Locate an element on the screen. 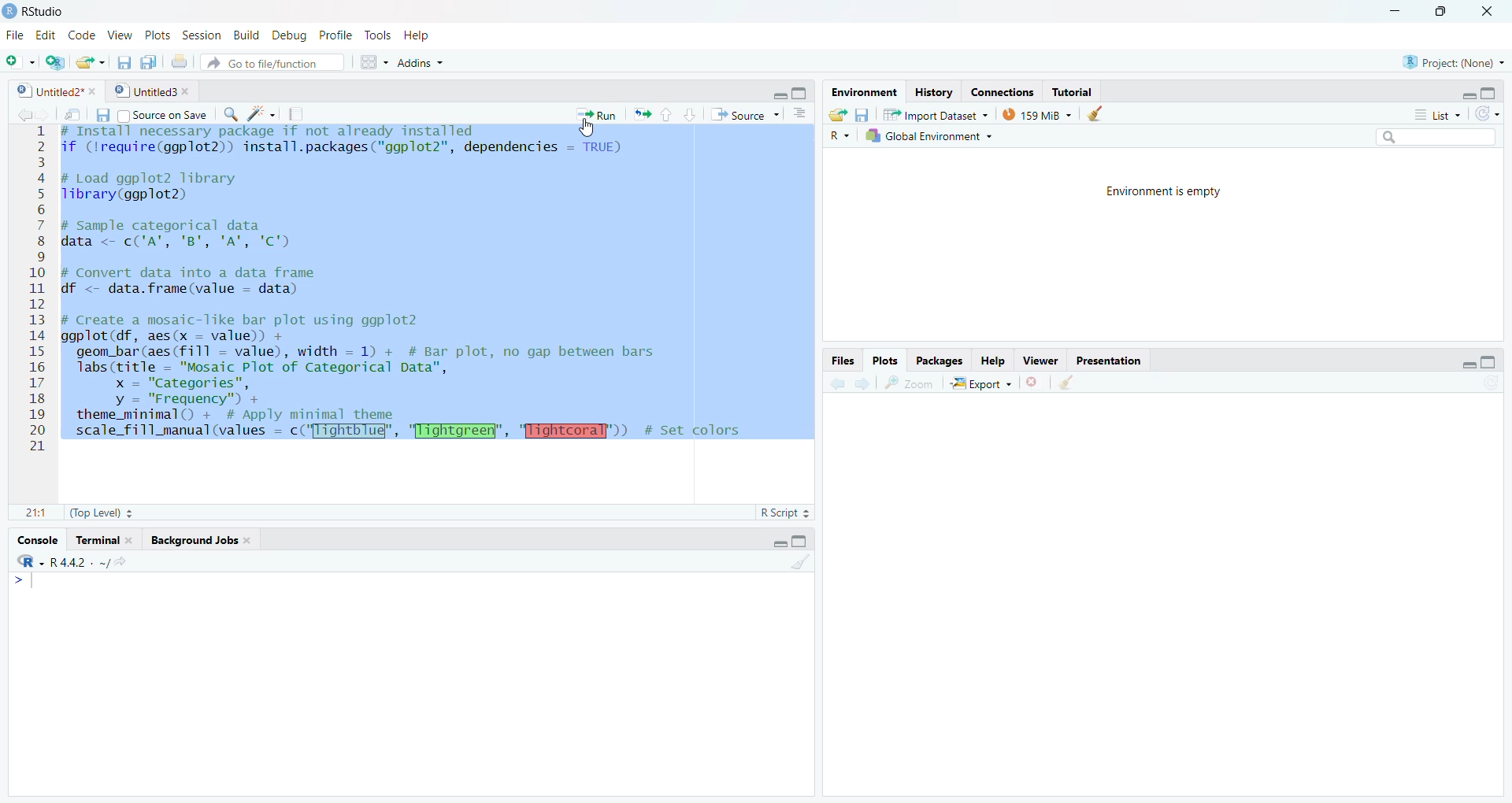 The height and width of the screenshot is (803, 1512). List is located at coordinates (1435, 113).